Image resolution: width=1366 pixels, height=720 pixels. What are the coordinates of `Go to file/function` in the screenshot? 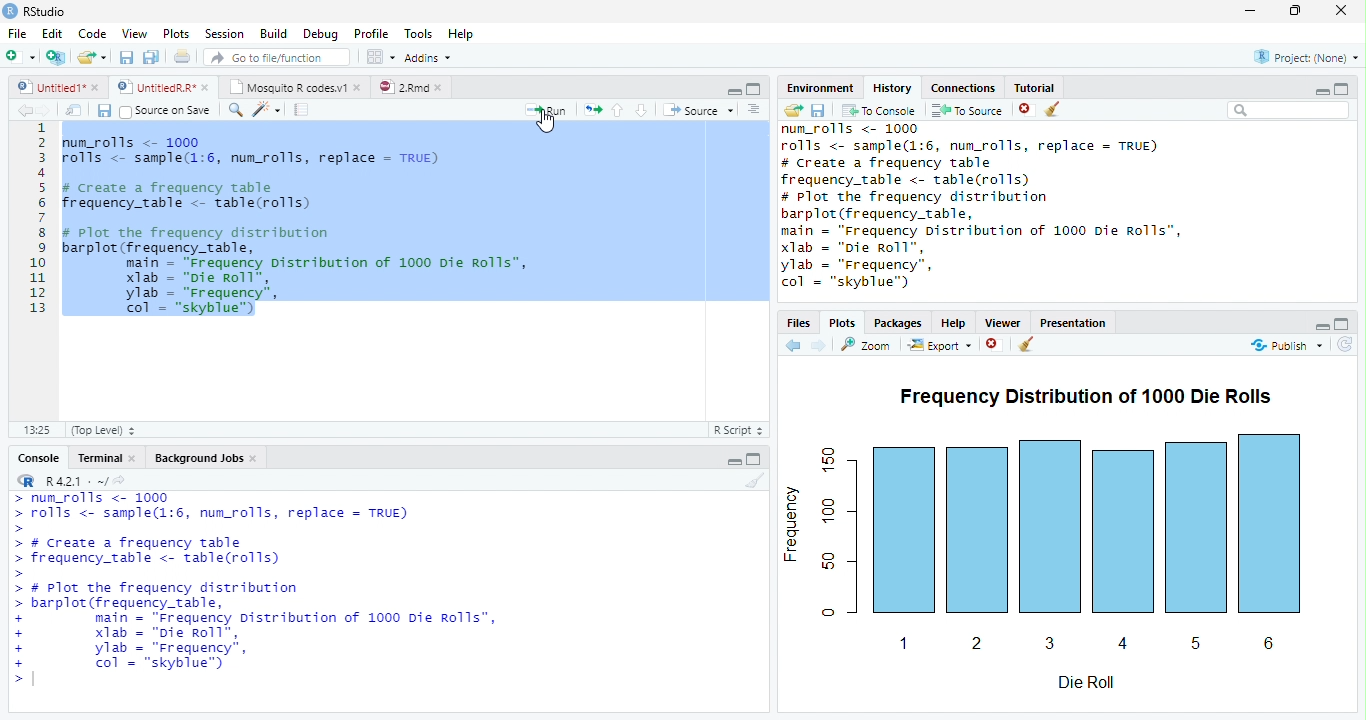 It's located at (275, 57).